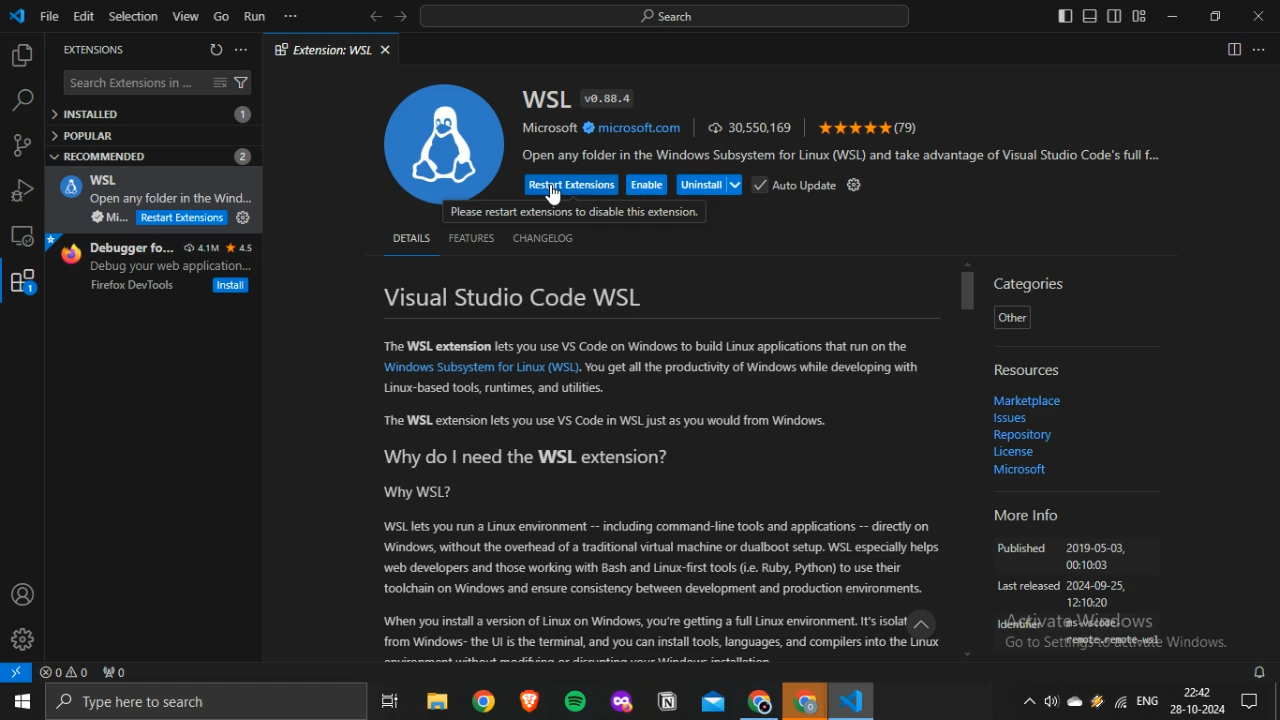 The height and width of the screenshot is (720, 1280). What do you see at coordinates (1013, 419) in the screenshot?
I see `Issues` at bounding box center [1013, 419].